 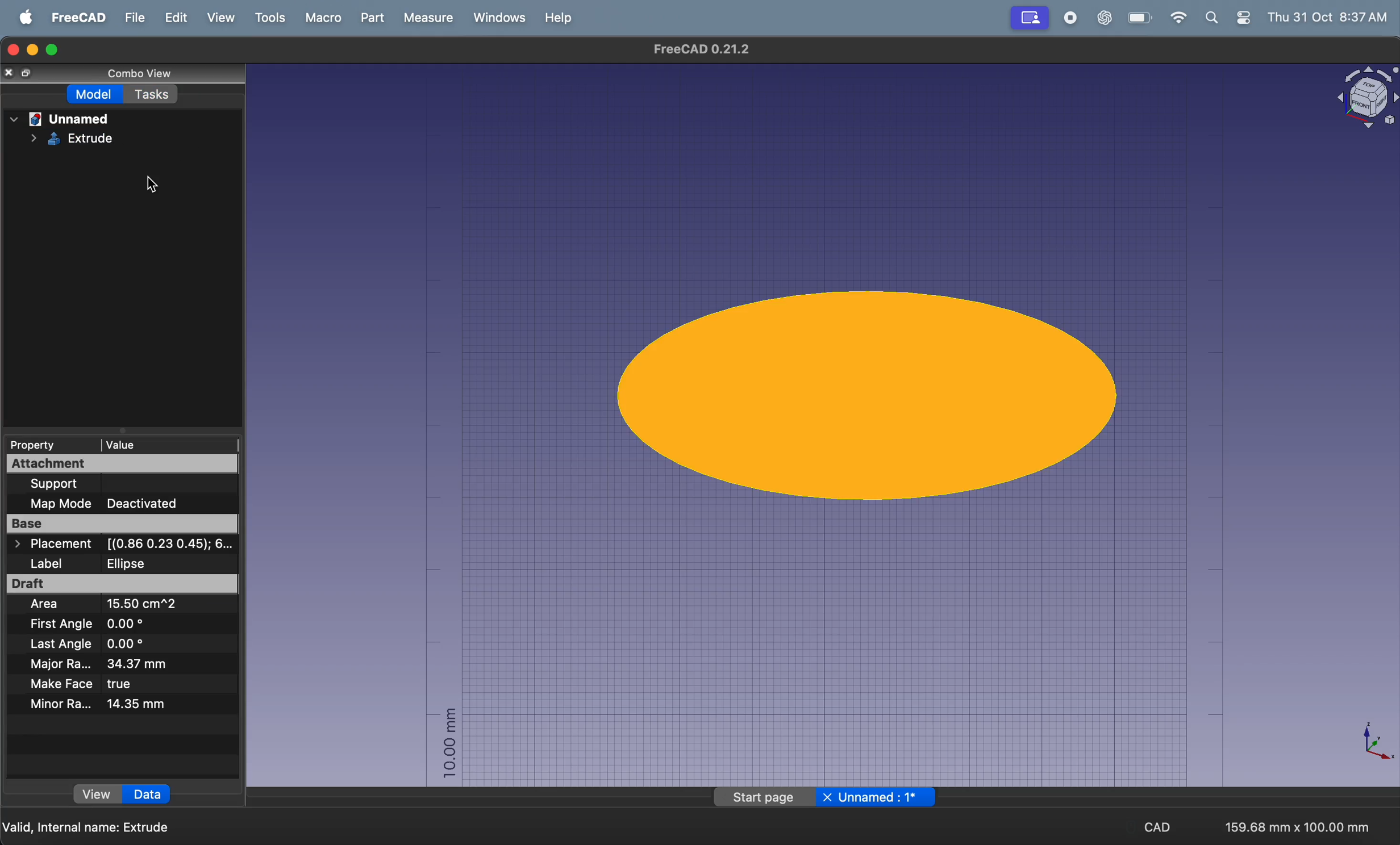 I want to click on value, so click(x=165, y=442).